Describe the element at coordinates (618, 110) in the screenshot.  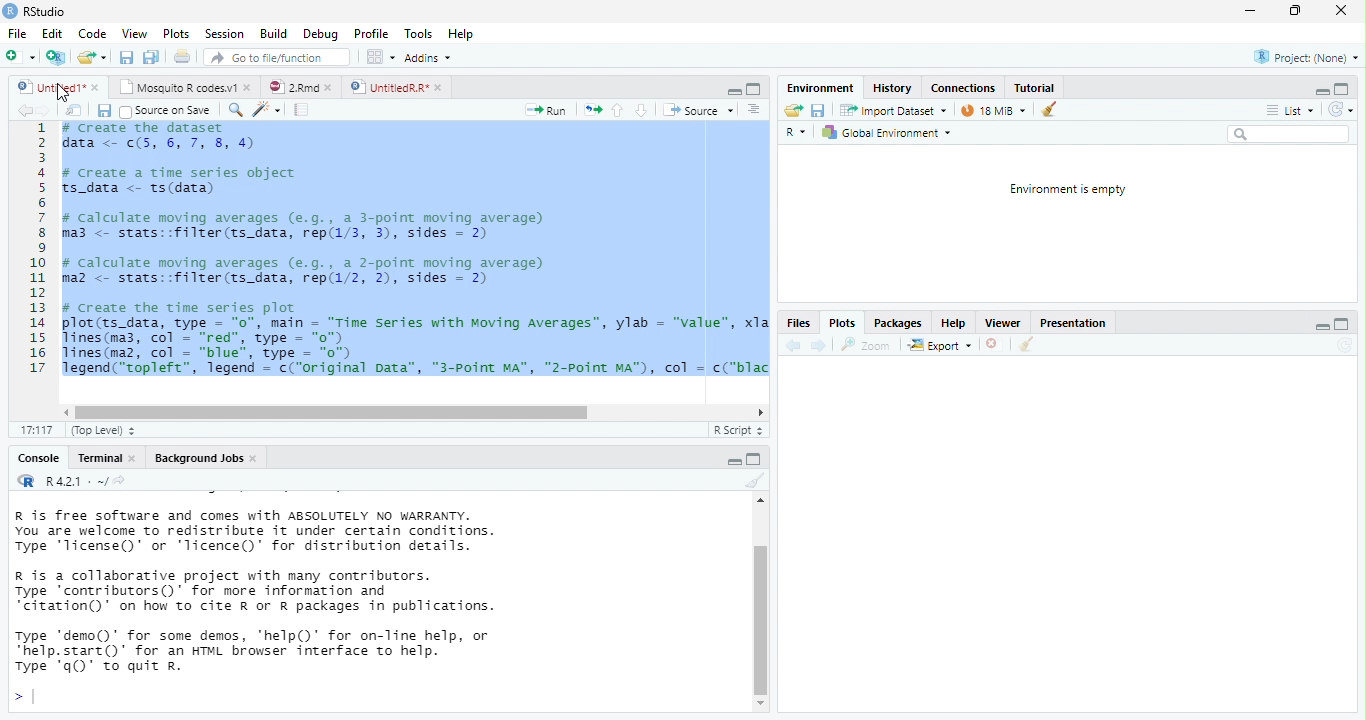
I see `up` at that location.